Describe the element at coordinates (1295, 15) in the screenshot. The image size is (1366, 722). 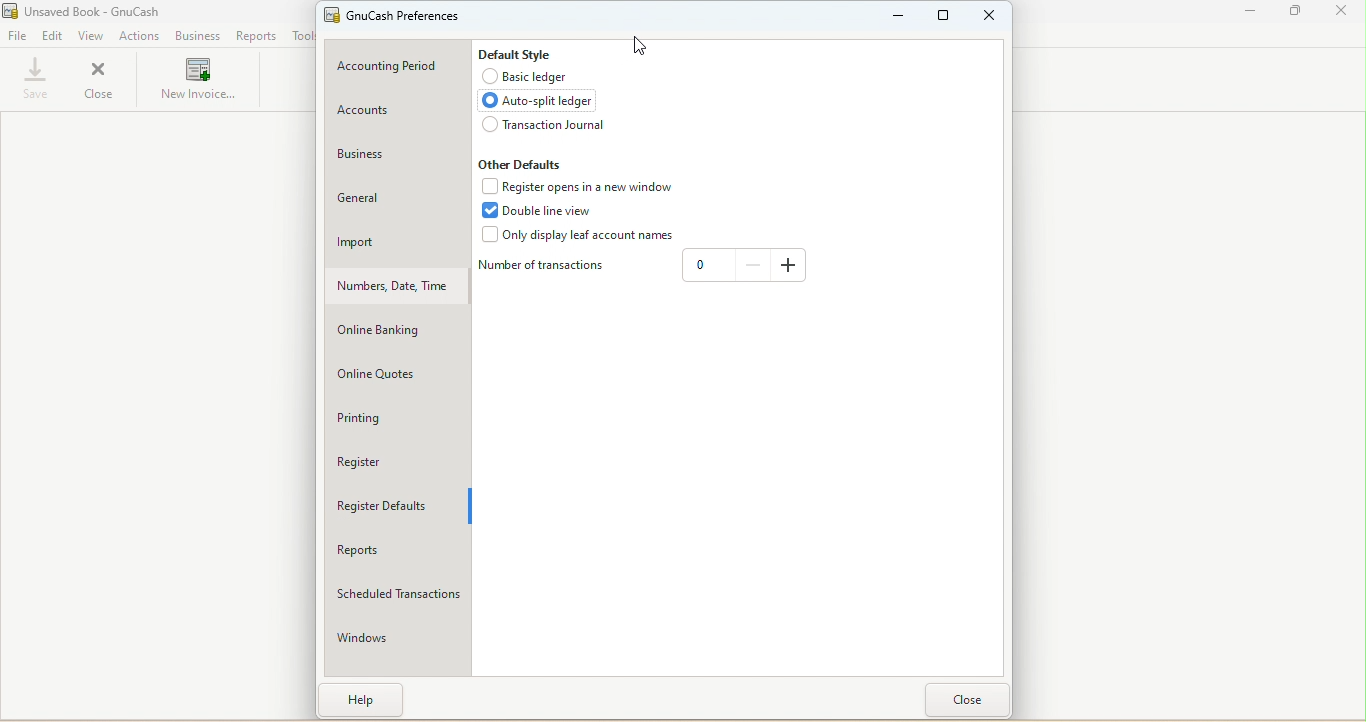
I see `Maximize` at that location.